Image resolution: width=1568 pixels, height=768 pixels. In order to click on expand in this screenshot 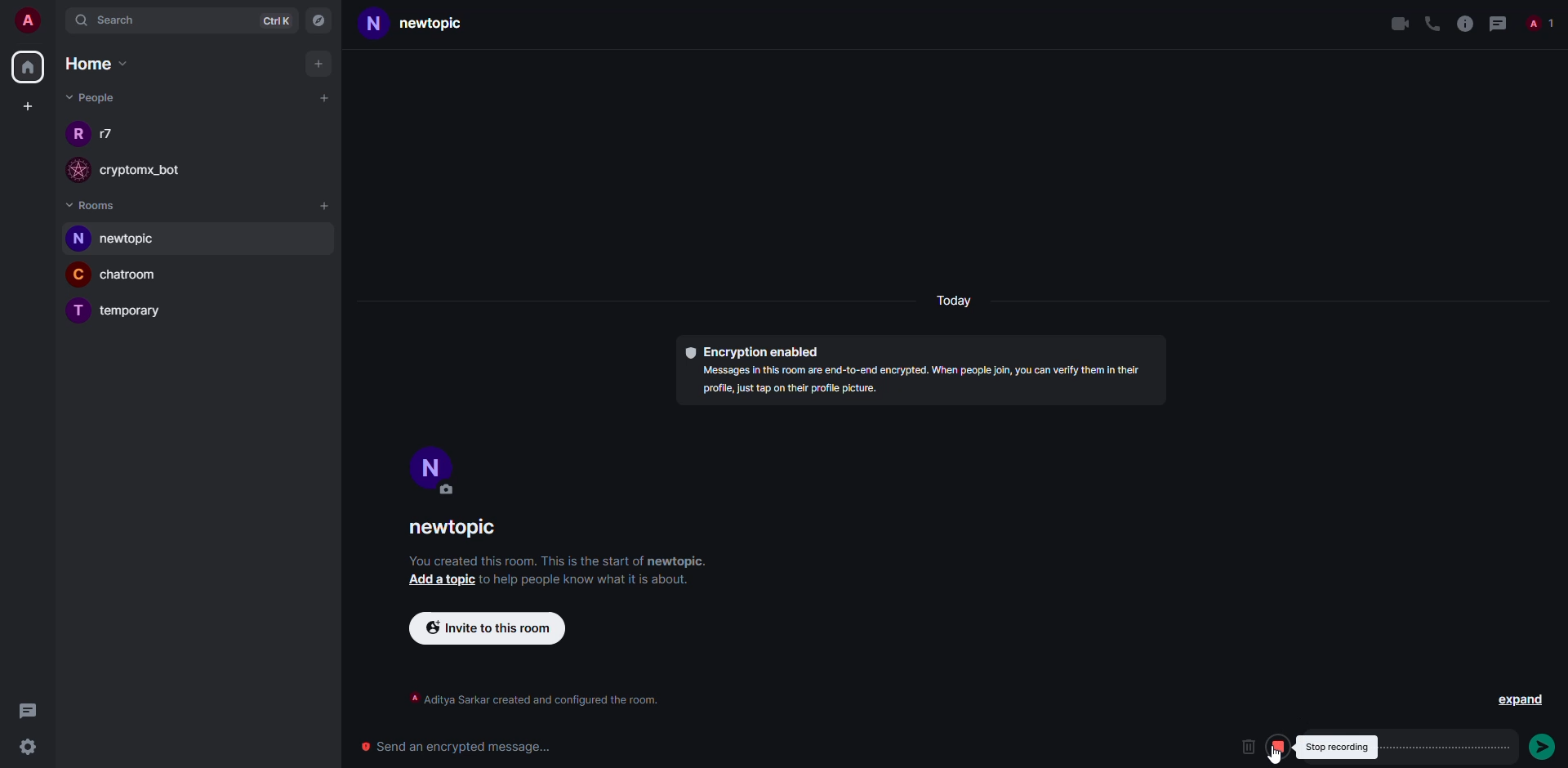, I will do `click(1517, 703)`.